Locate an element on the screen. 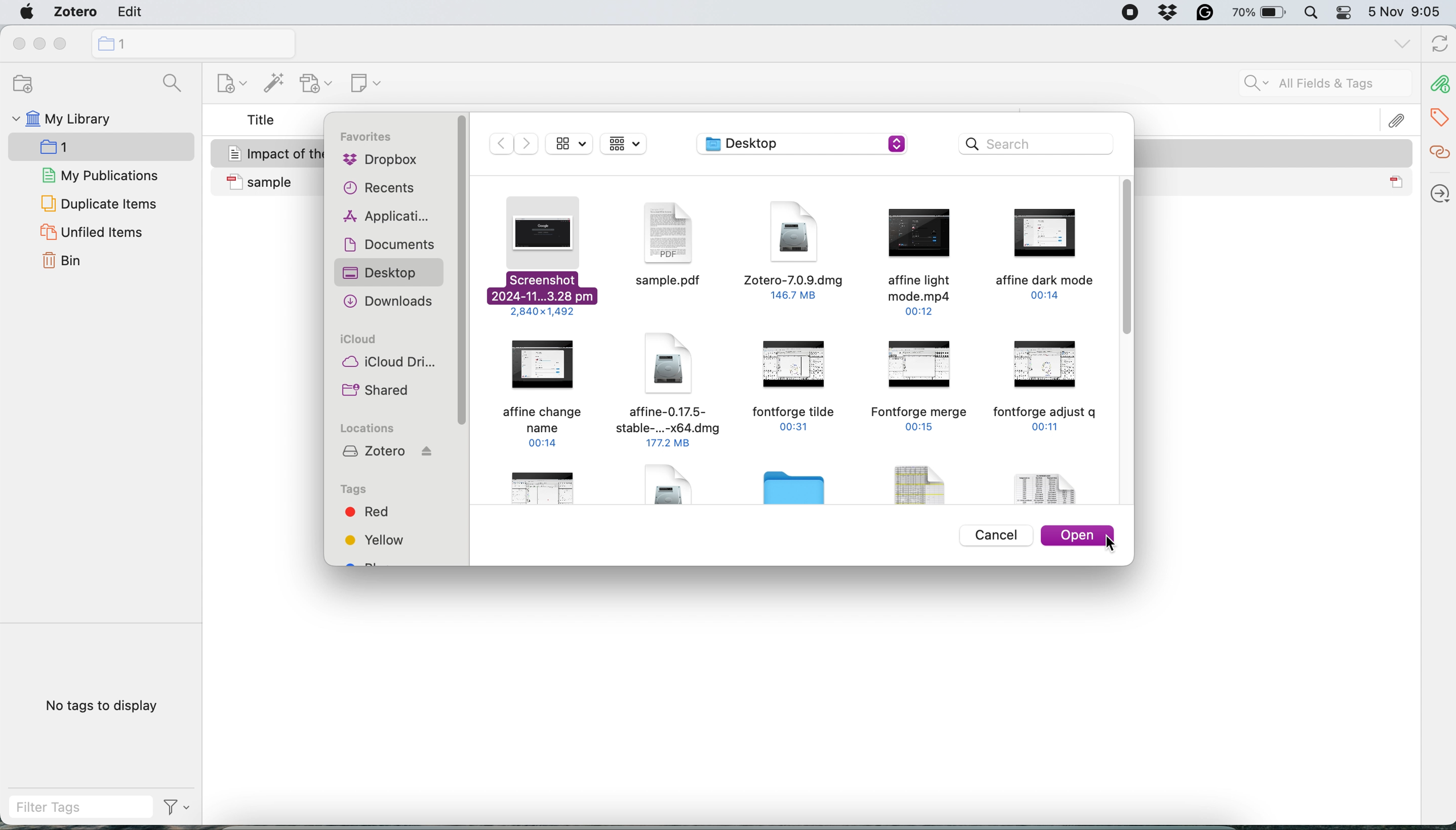  related is located at coordinates (1438, 150).